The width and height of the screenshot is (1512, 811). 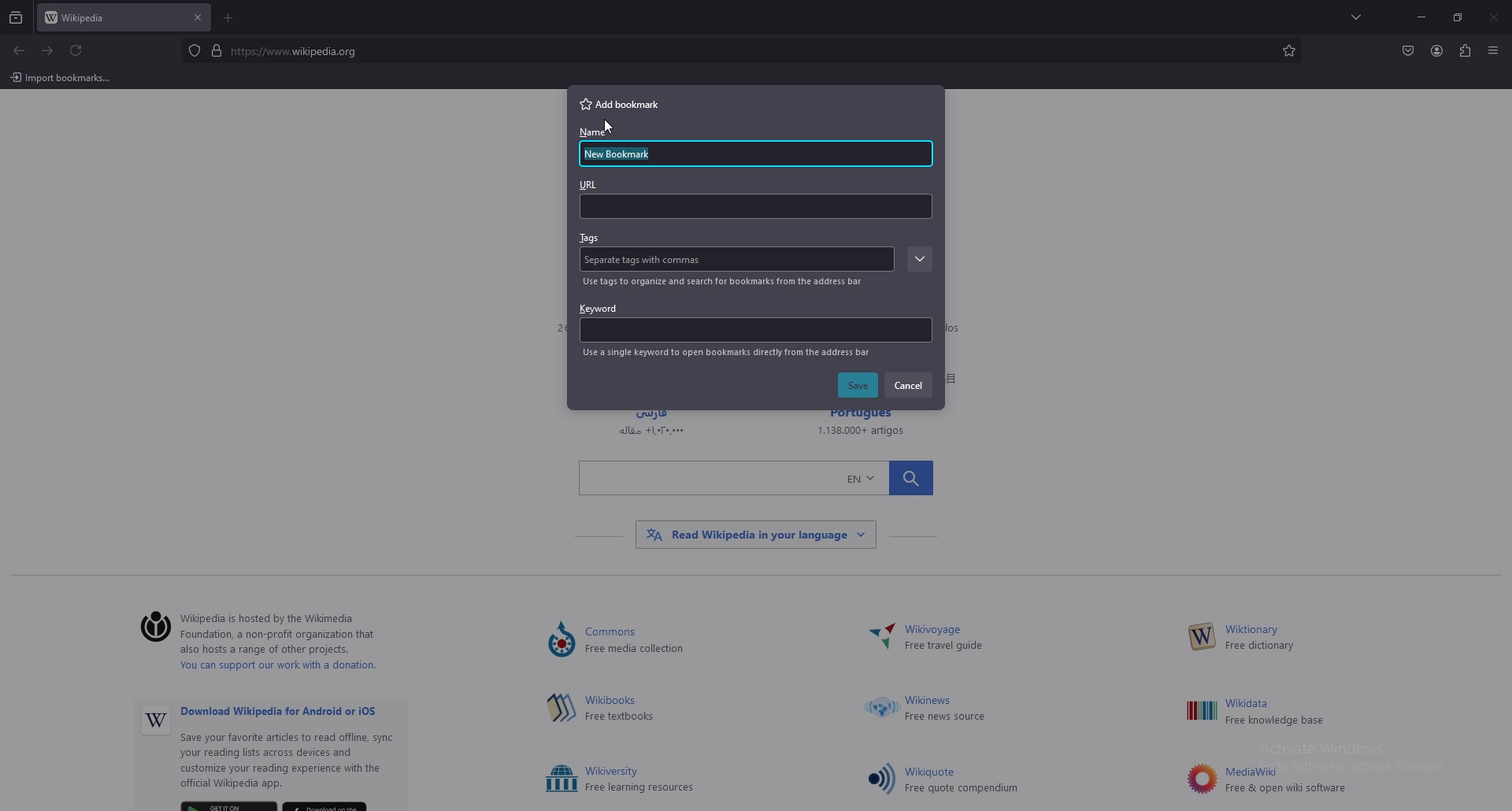 I want to click on , so click(x=947, y=709).